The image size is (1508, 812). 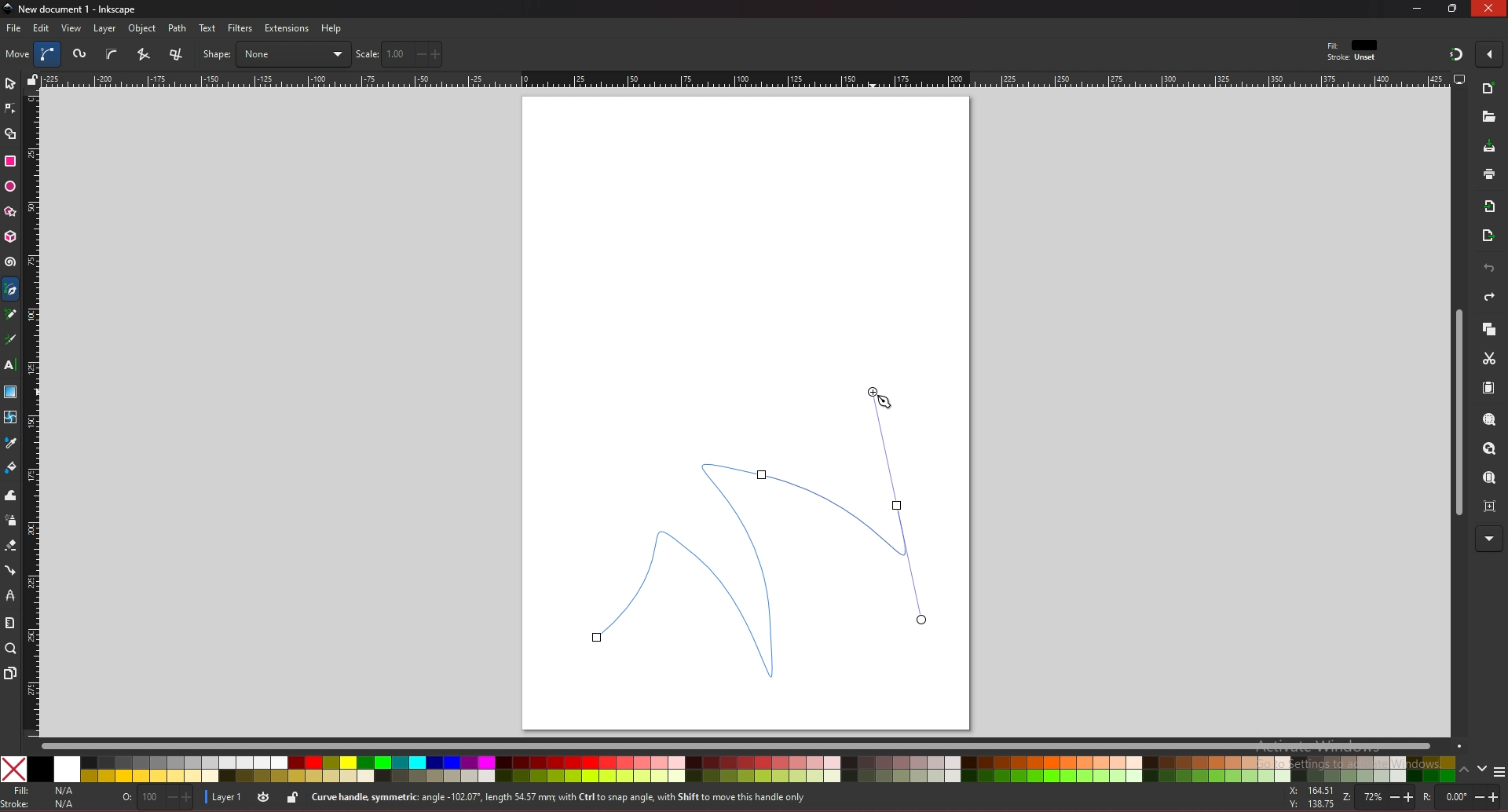 I want to click on stars and polygons, so click(x=11, y=212).